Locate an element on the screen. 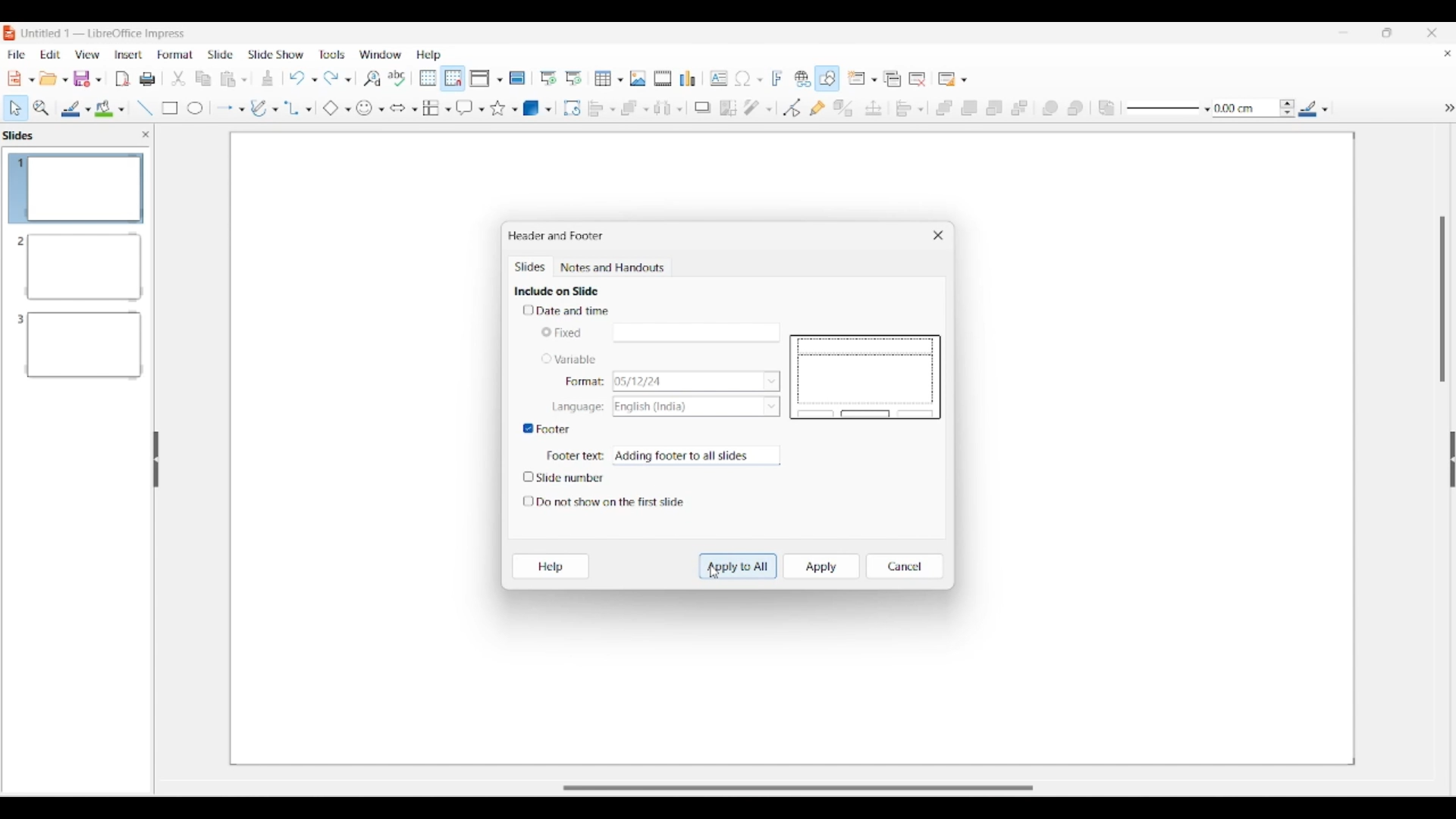 This screenshot has width=1456, height=819. Slide 3 is located at coordinates (80, 342).